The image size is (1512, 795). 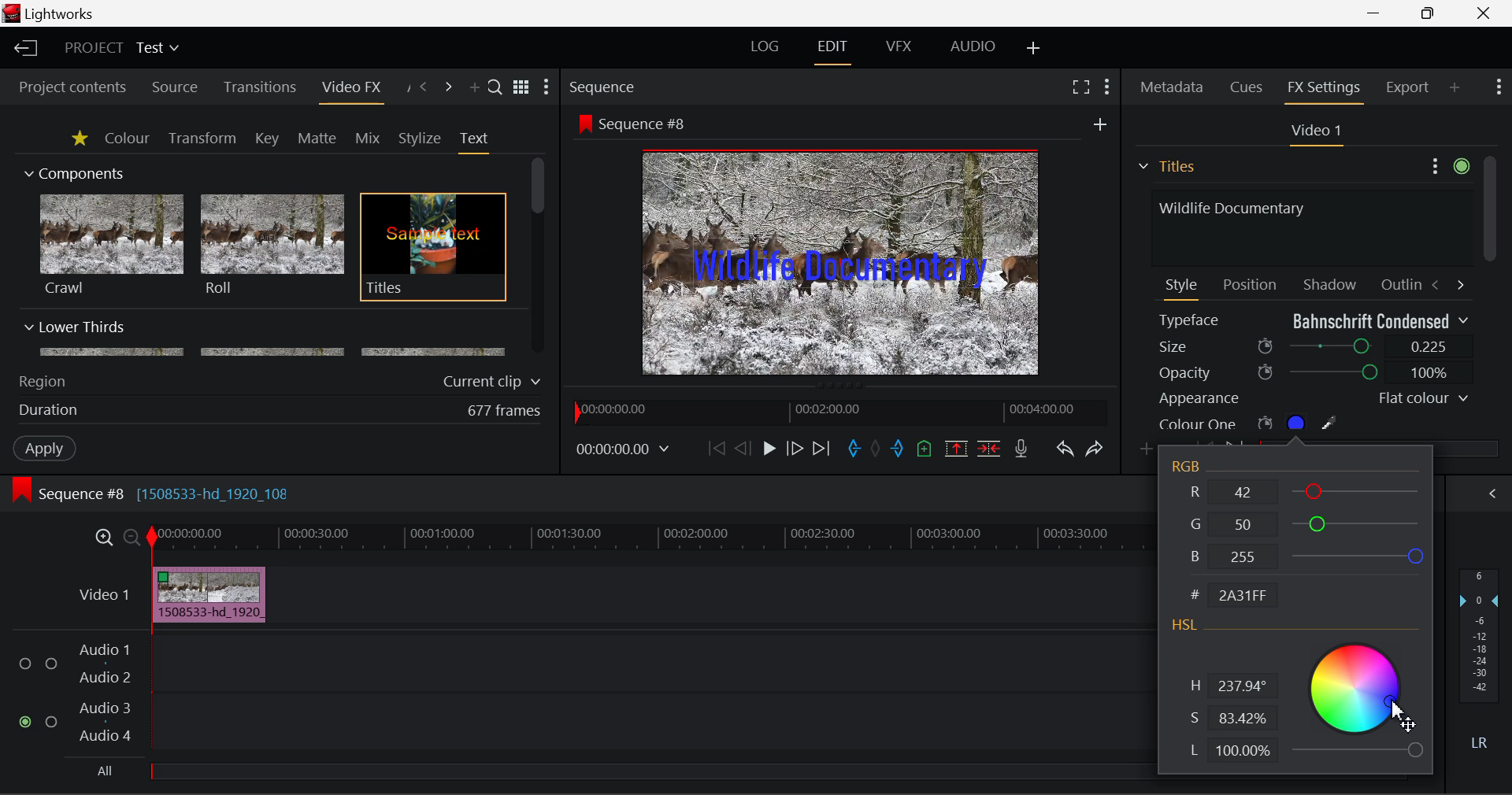 I want to click on Appearance, so click(x=1312, y=398).